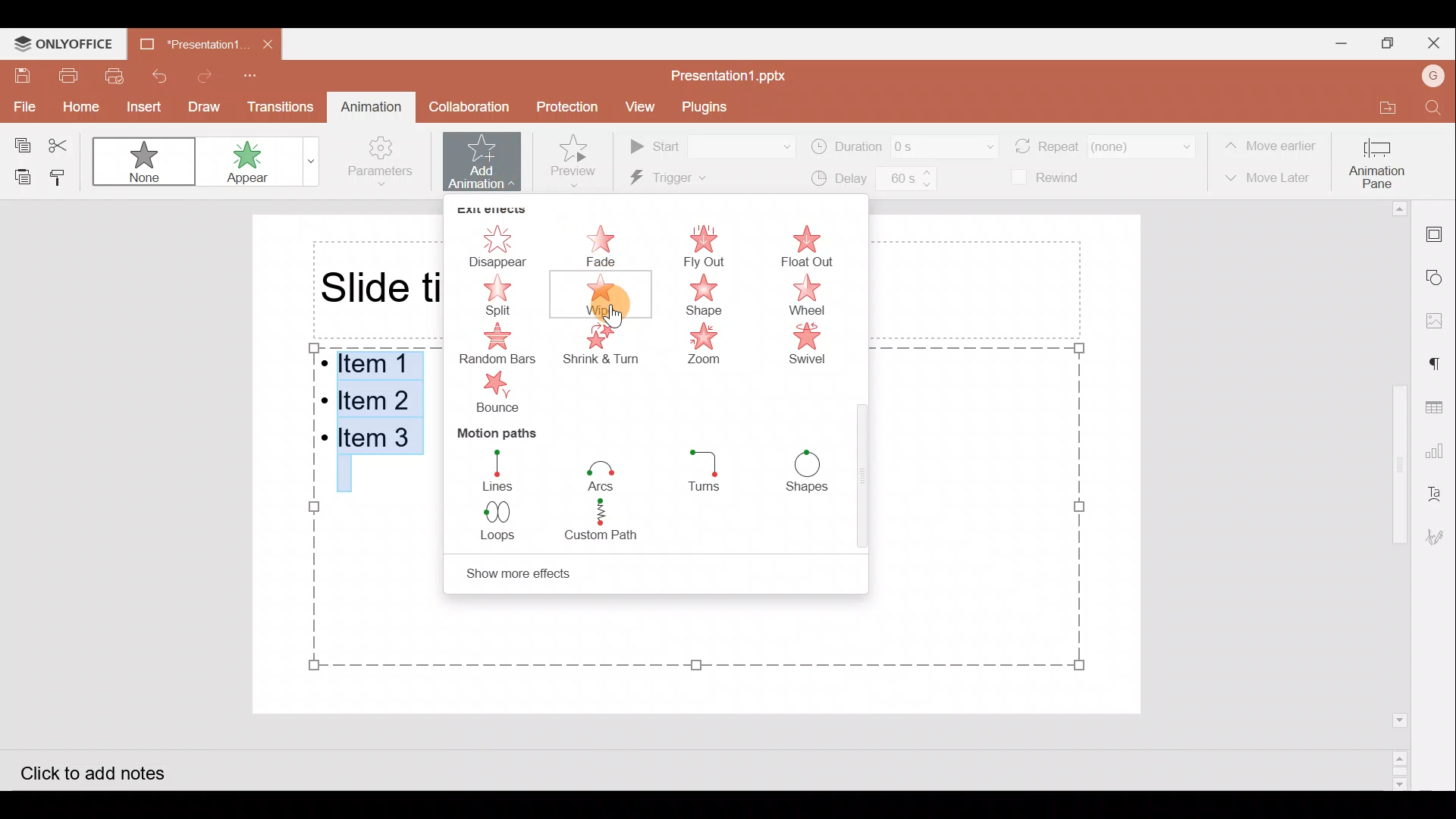  I want to click on Preview, so click(579, 161).